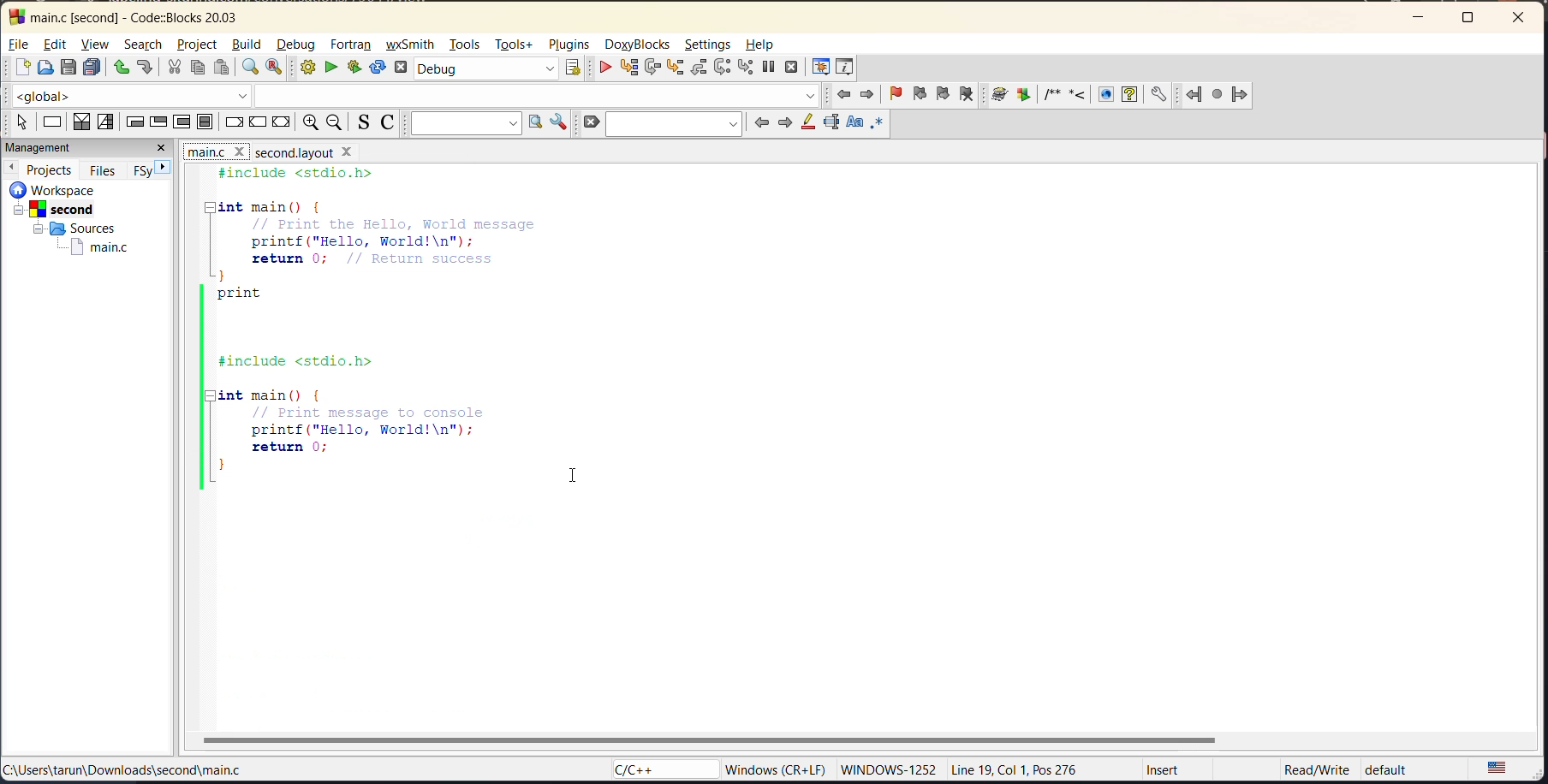  What do you see at coordinates (255, 122) in the screenshot?
I see `continue instruction` at bounding box center [255, 122].